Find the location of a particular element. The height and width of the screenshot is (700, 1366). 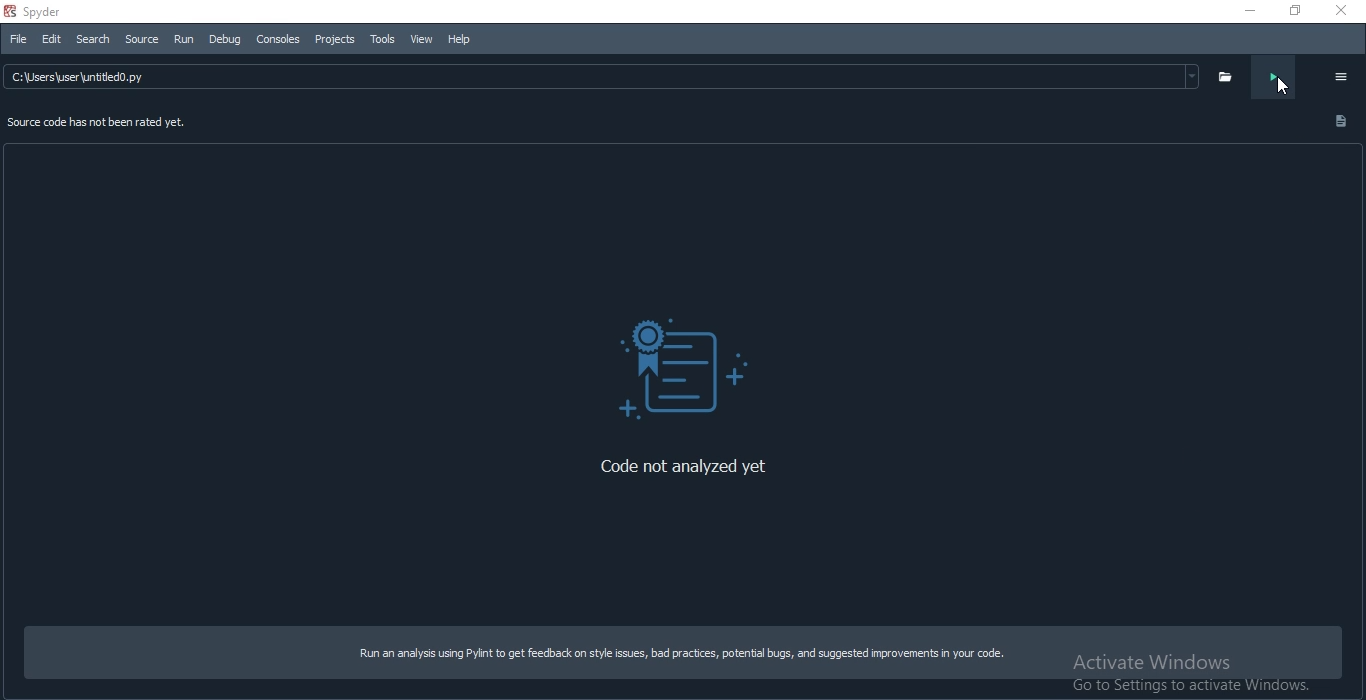

close is located at coordinates (1346, 10).